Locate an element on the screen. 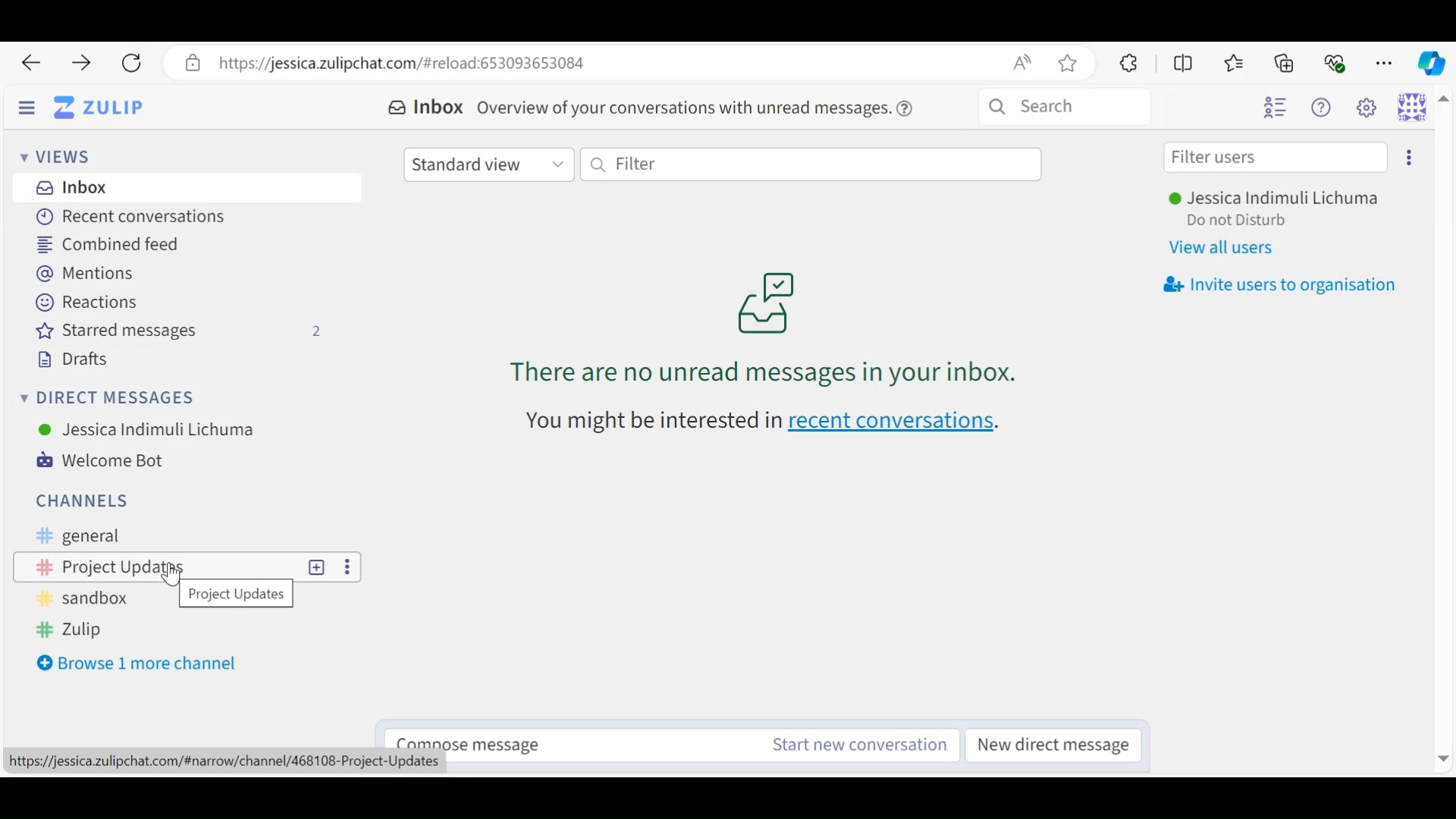 This screenshot has height=819, width=1456. Recent Conversations is located at coordinates (126, 218).